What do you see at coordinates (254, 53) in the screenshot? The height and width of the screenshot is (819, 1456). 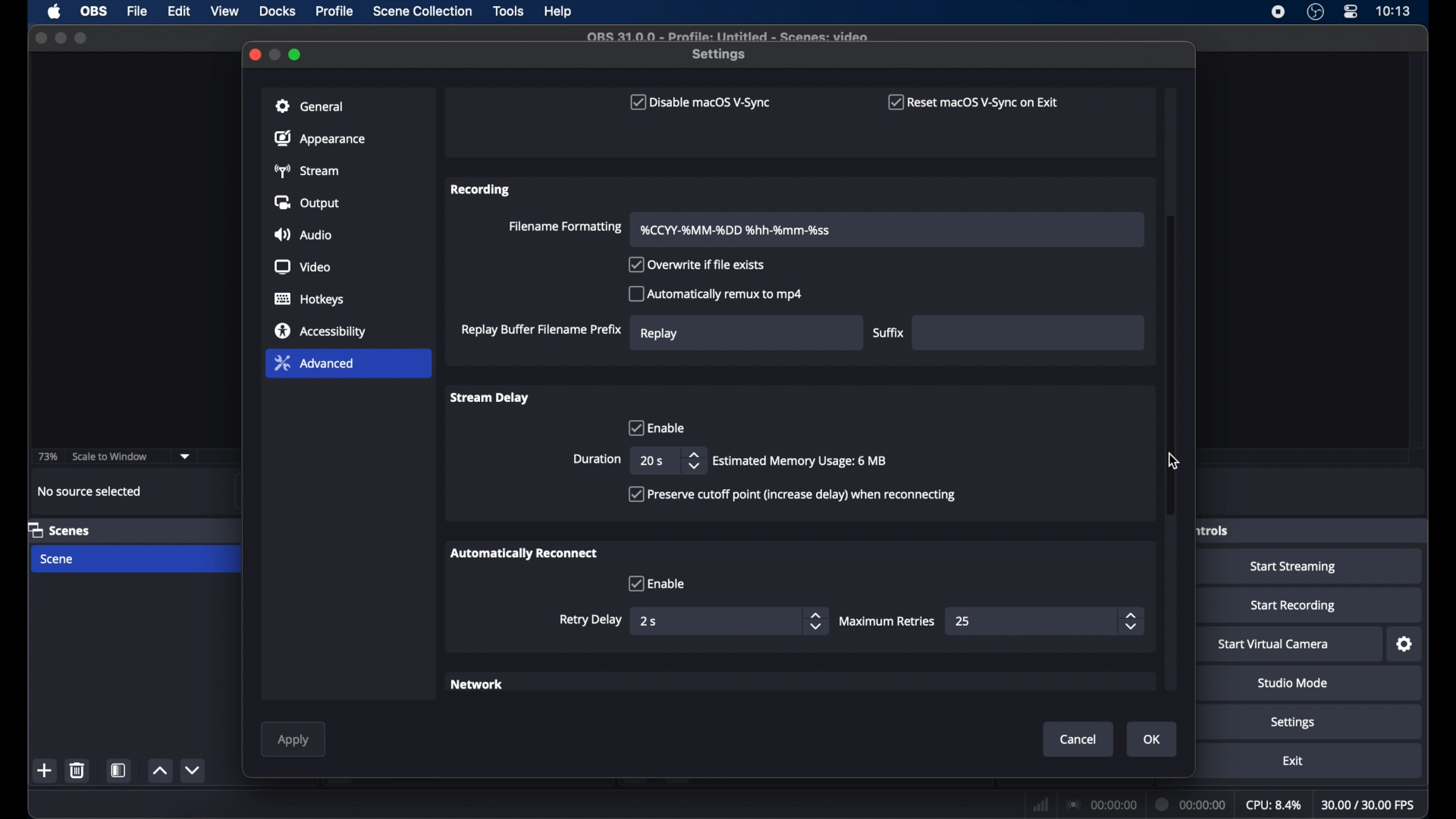 I see `close` at bounding box center [254, 53].